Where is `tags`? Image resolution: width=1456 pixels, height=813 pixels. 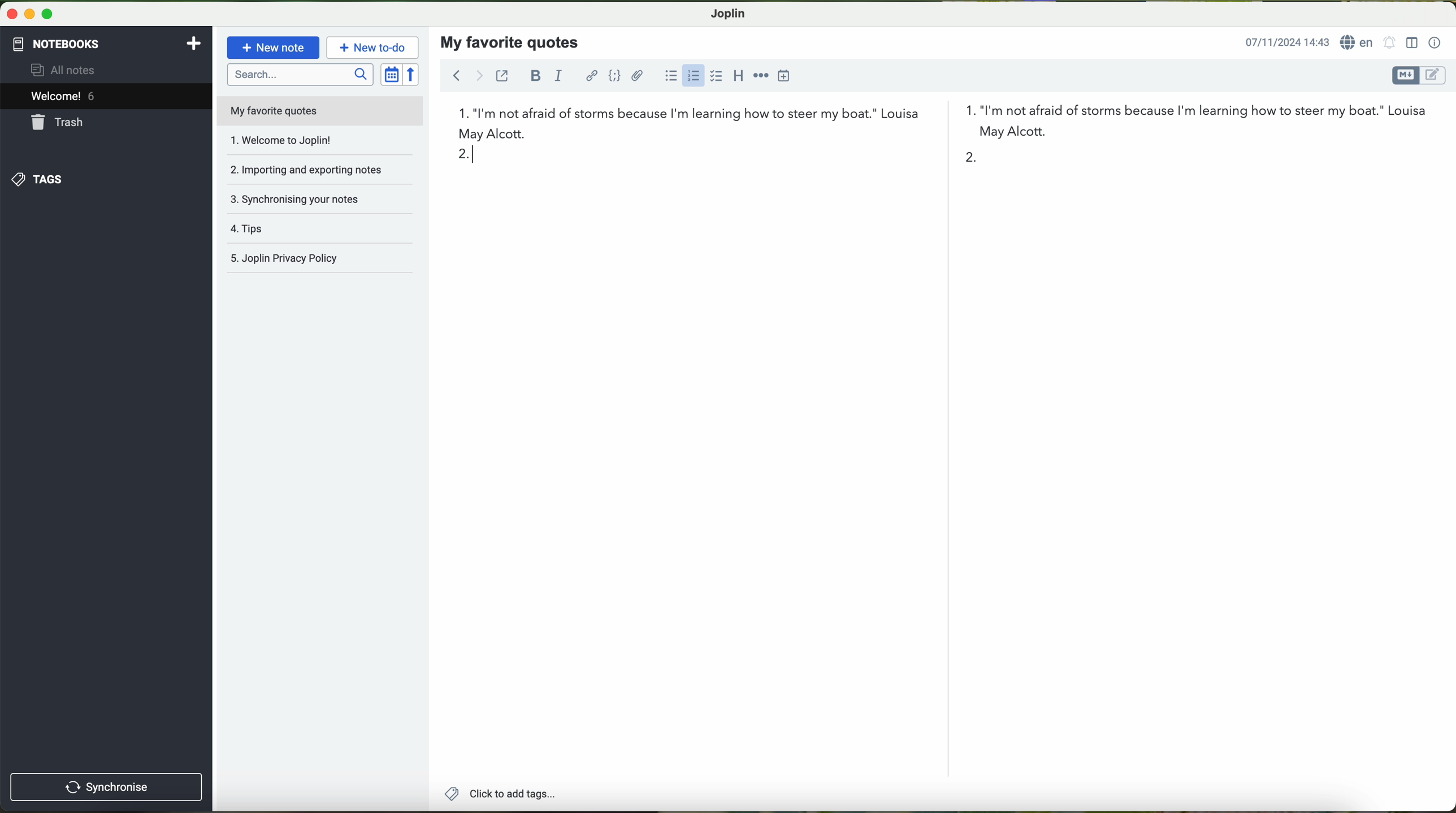
tags is located at coordinates (318, 228).